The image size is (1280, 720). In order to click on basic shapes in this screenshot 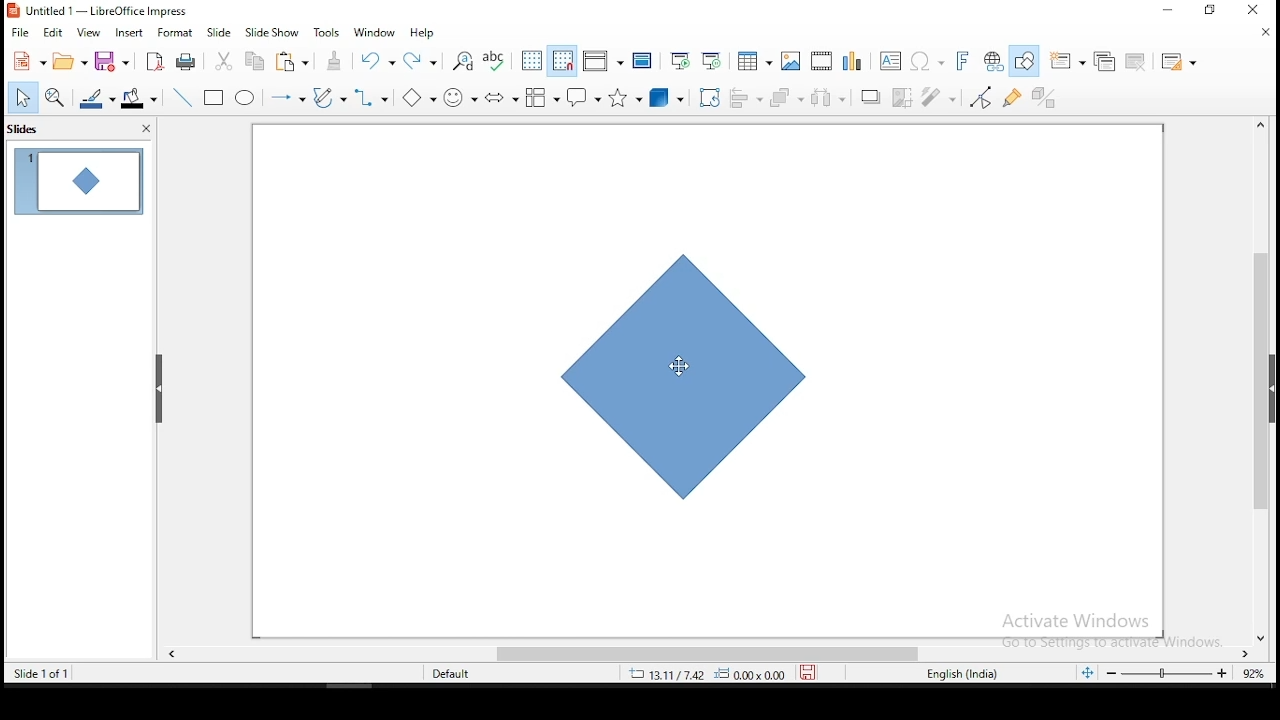, I will do `click(423, 98)`.